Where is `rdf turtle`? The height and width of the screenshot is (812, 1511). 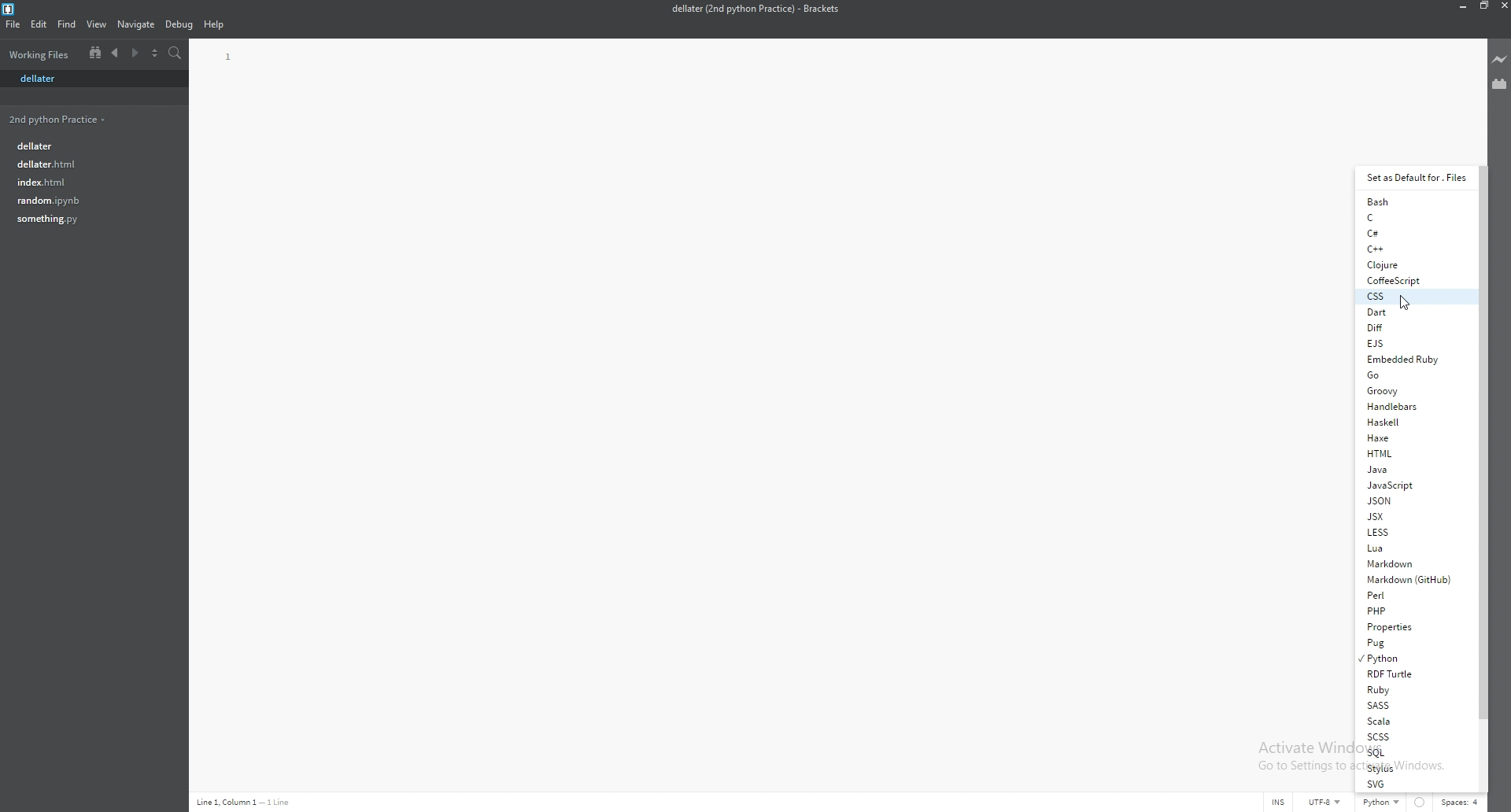 rdf turtle is located at coordinates (1413, 673).